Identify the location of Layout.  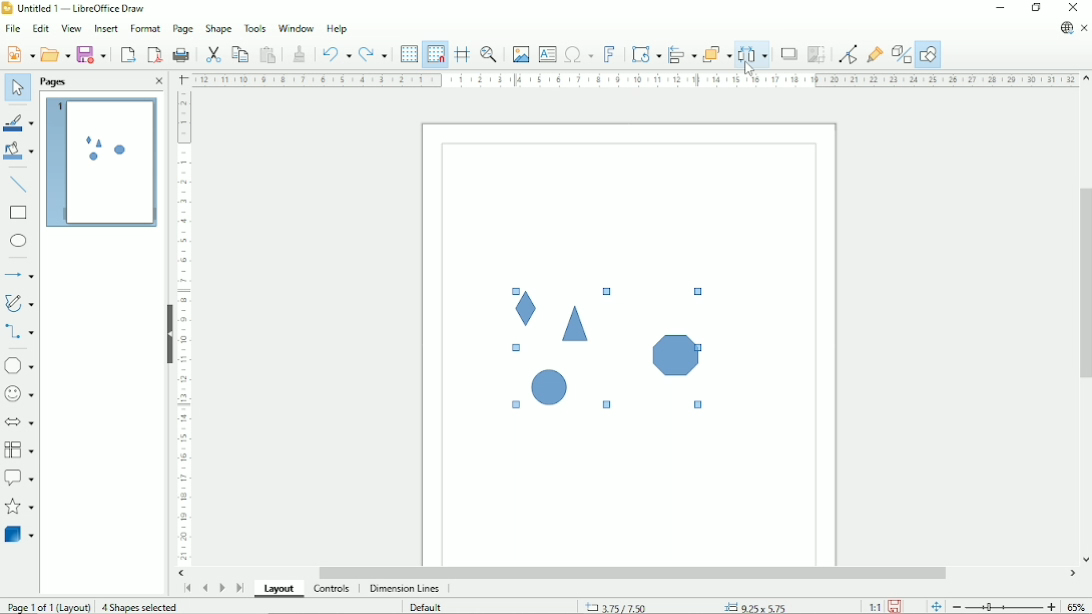
(279, 588).